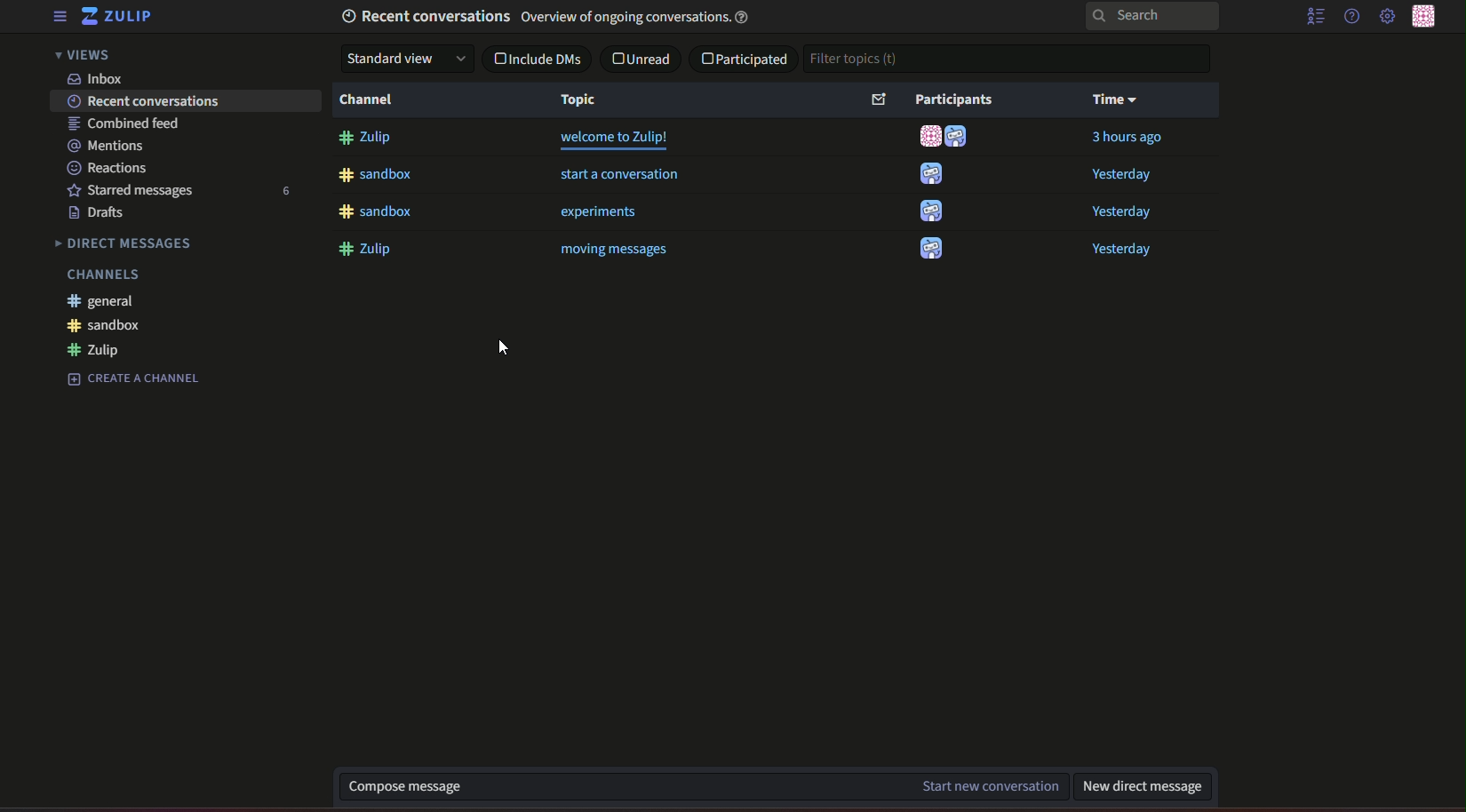 This screenshot has width=1466, height=812. What do you see at coordinates (370, 250) in the screenshot?
I see `#zulip` at bounding box center [370, 250].